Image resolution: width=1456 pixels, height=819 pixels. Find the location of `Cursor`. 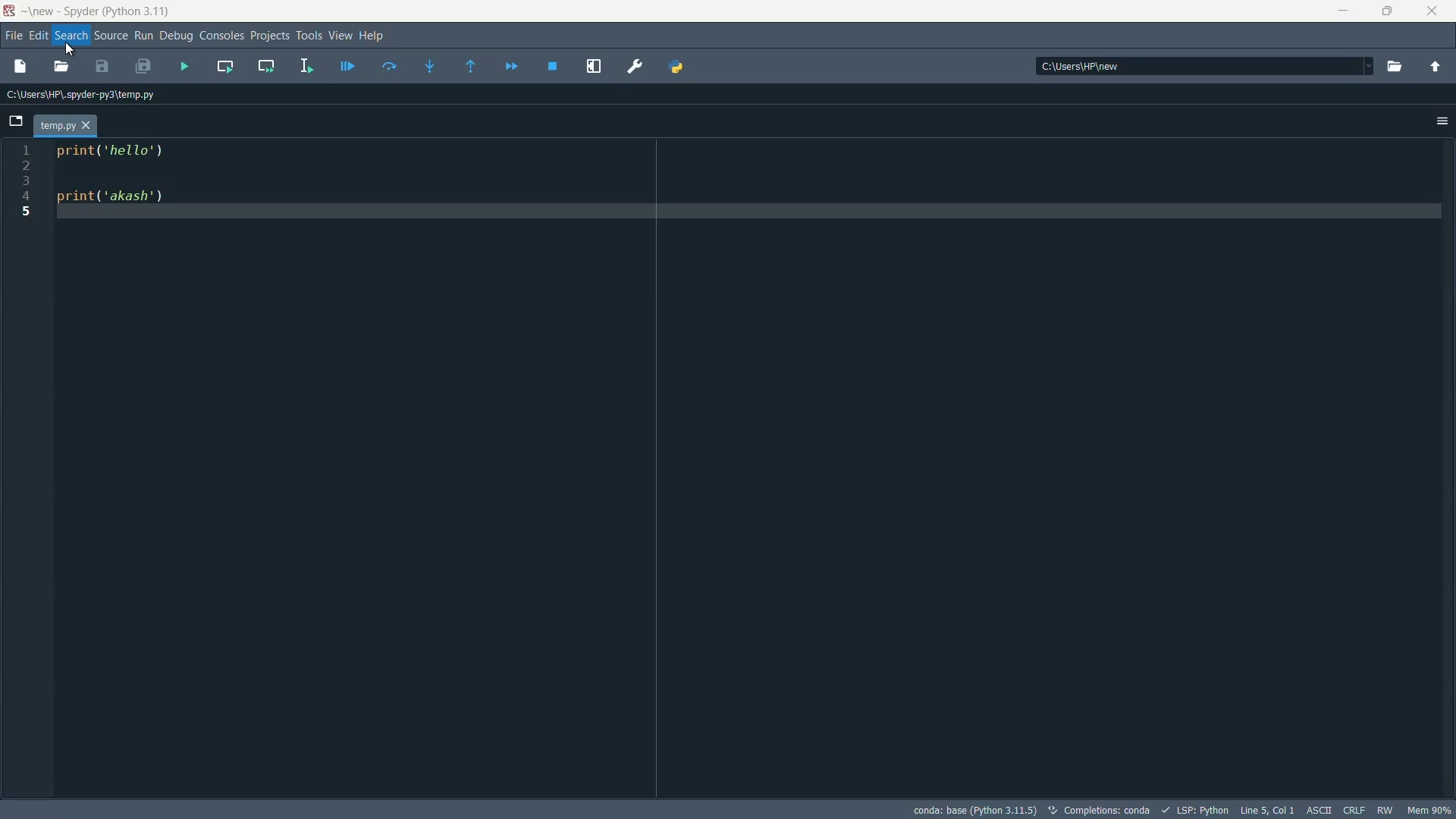

Cursor is located at coordinates (71, 49).